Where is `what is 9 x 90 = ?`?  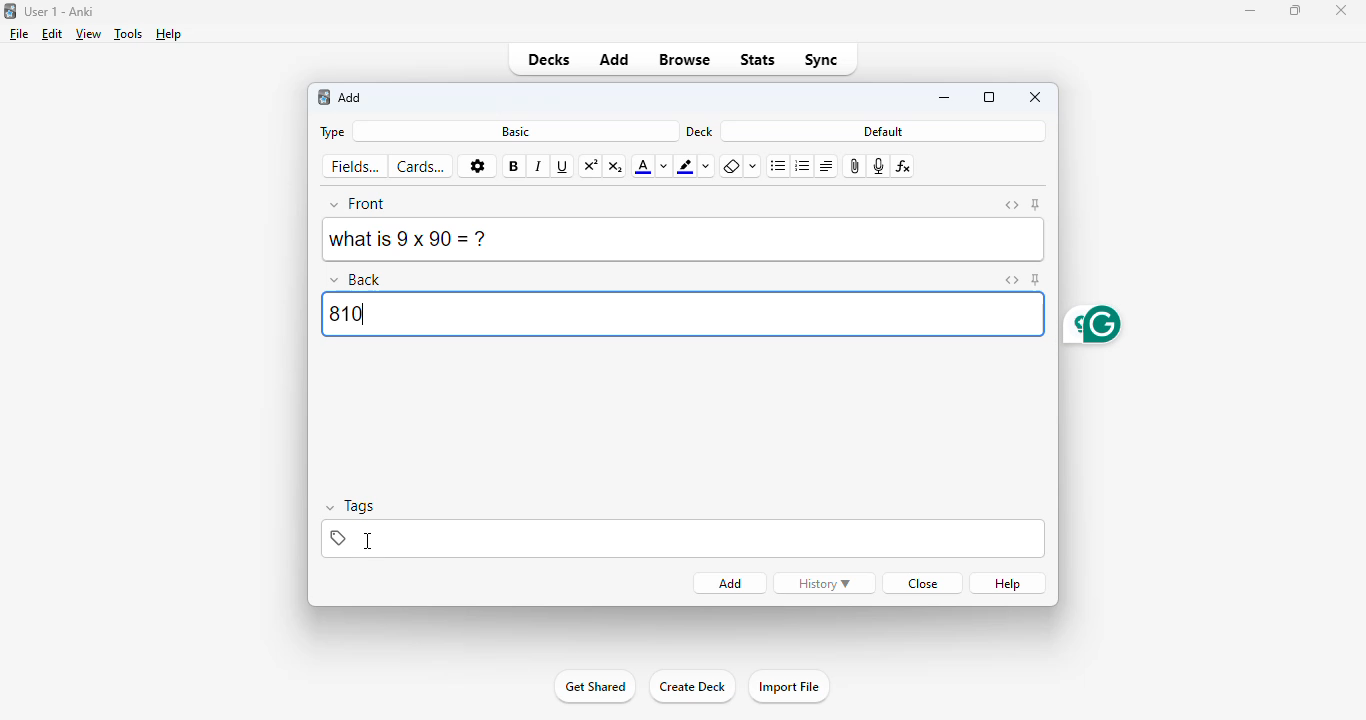 what is 9 x 90 = ? is located at coordinates (682, 240).